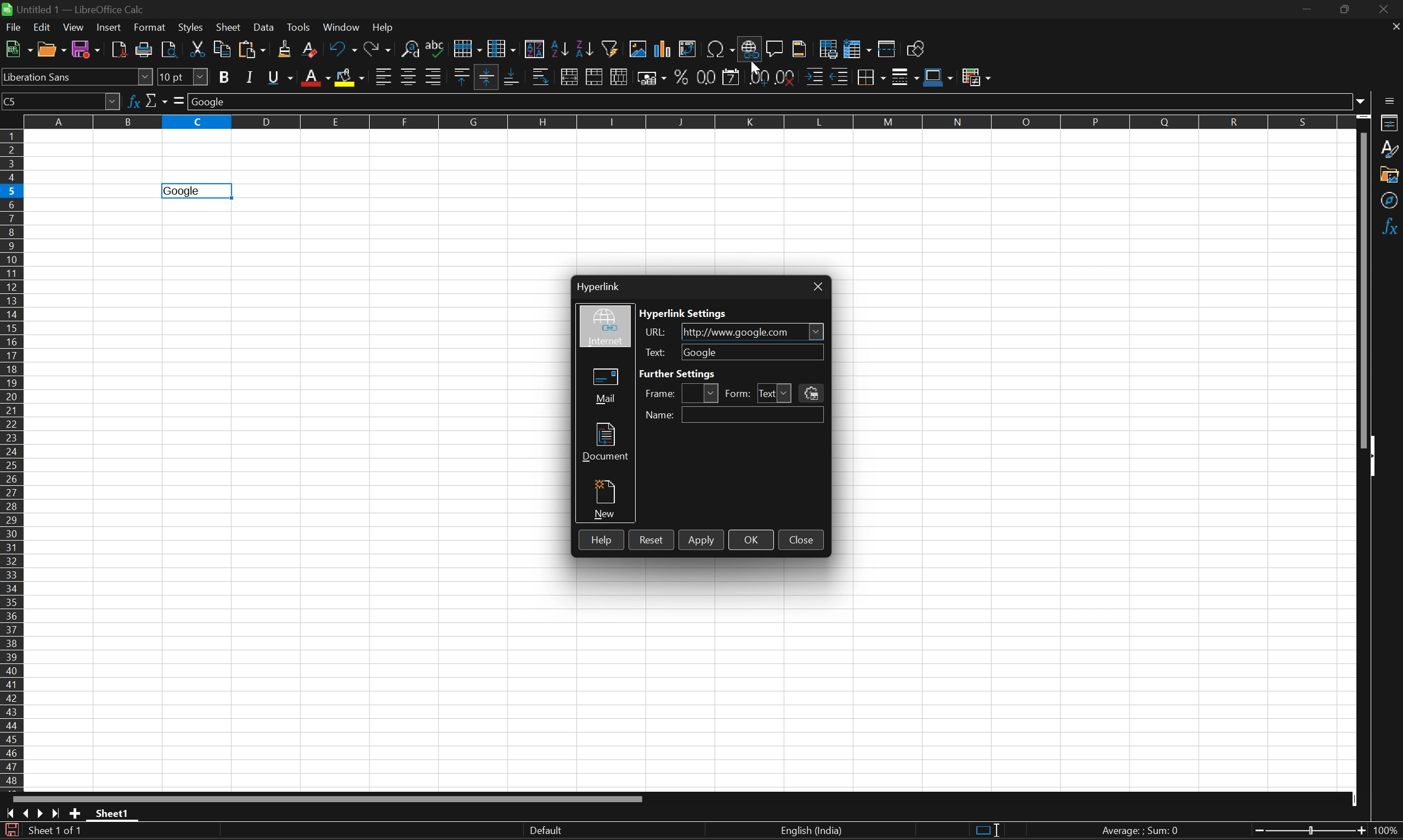  I want to click on Reset, so click(652, 541).